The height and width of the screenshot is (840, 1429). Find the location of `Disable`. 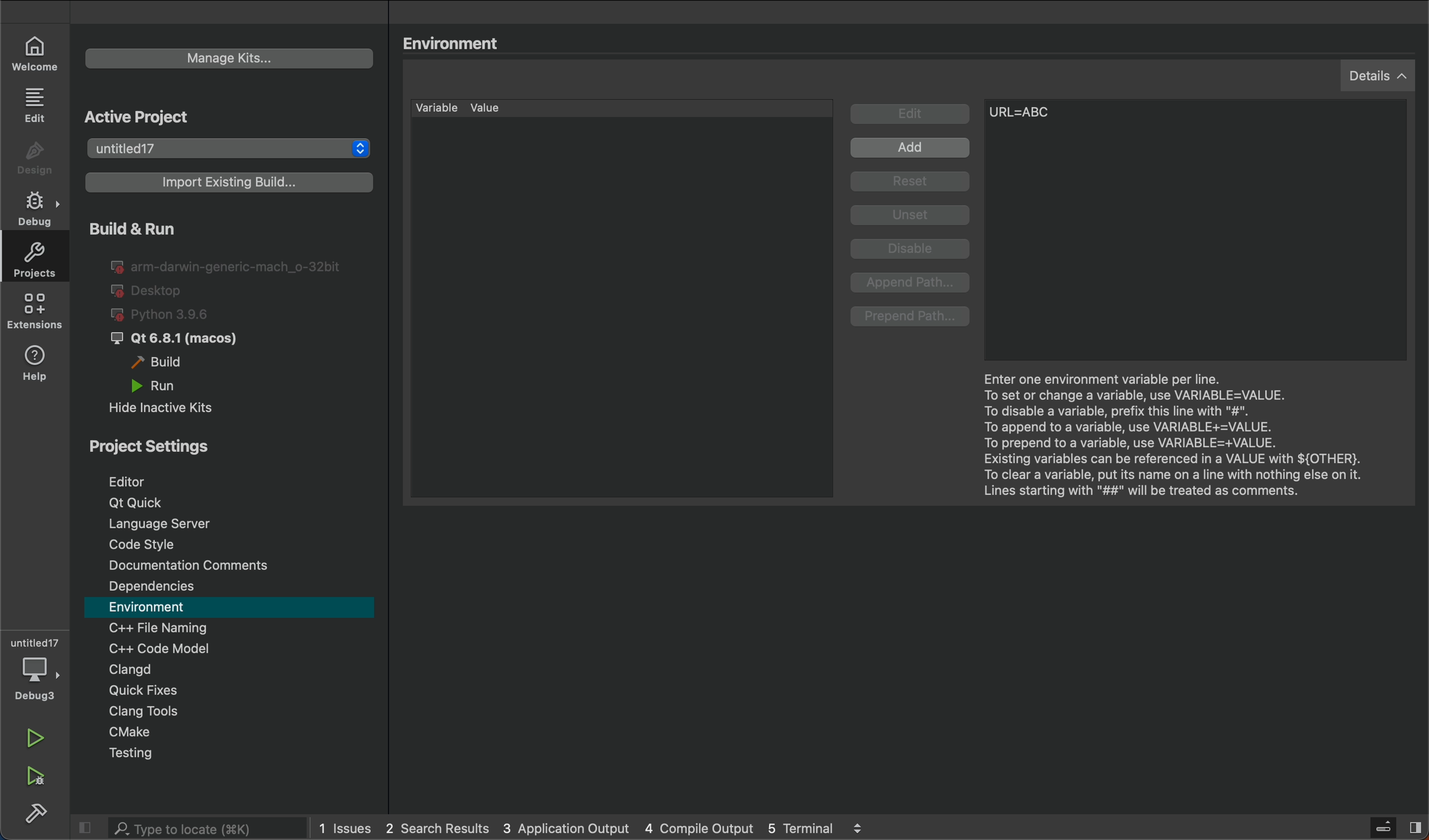

Disable is located at coordinates (914, 251).